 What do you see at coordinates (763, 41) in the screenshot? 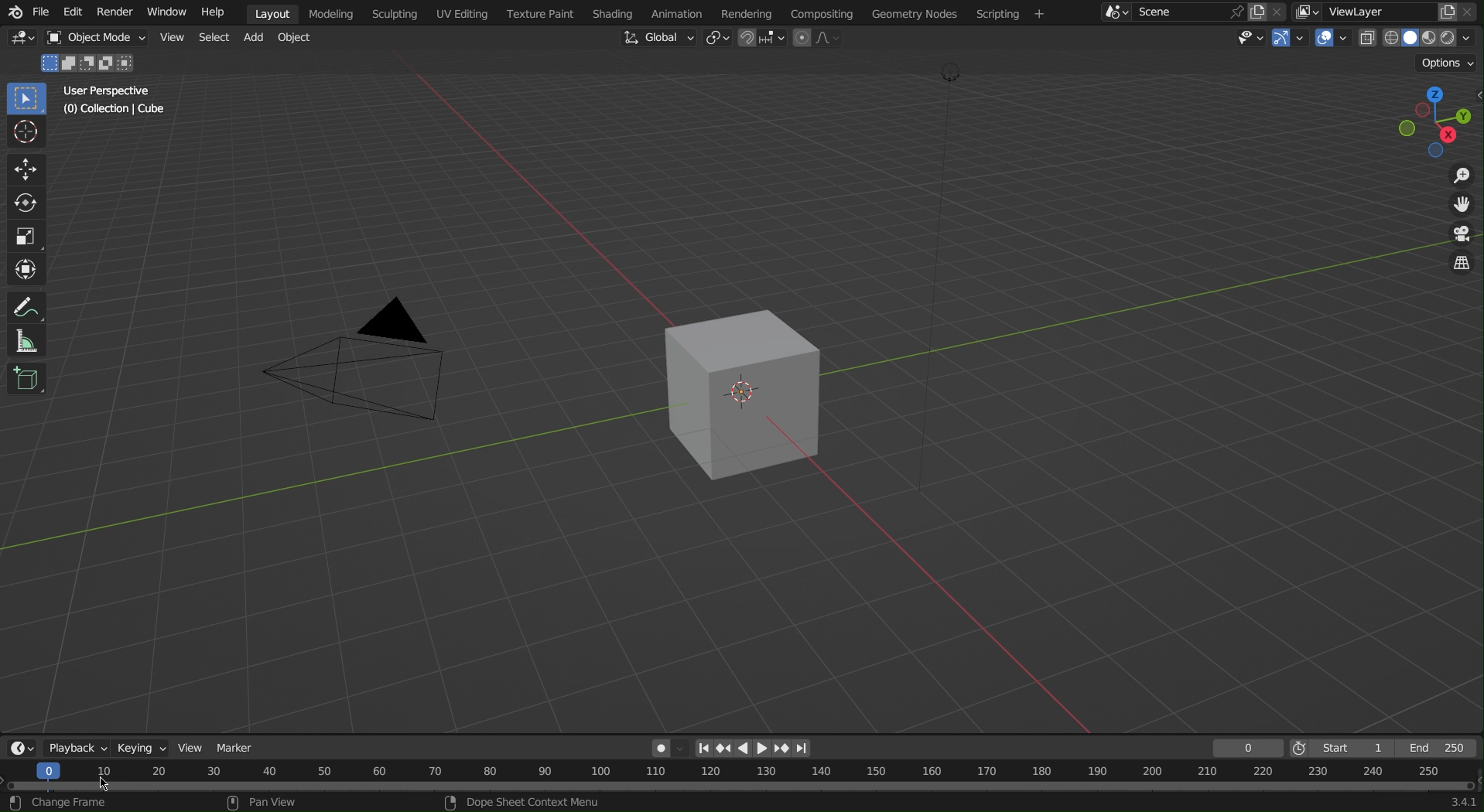
I see `Snapping` at bounding box center [763, 41].